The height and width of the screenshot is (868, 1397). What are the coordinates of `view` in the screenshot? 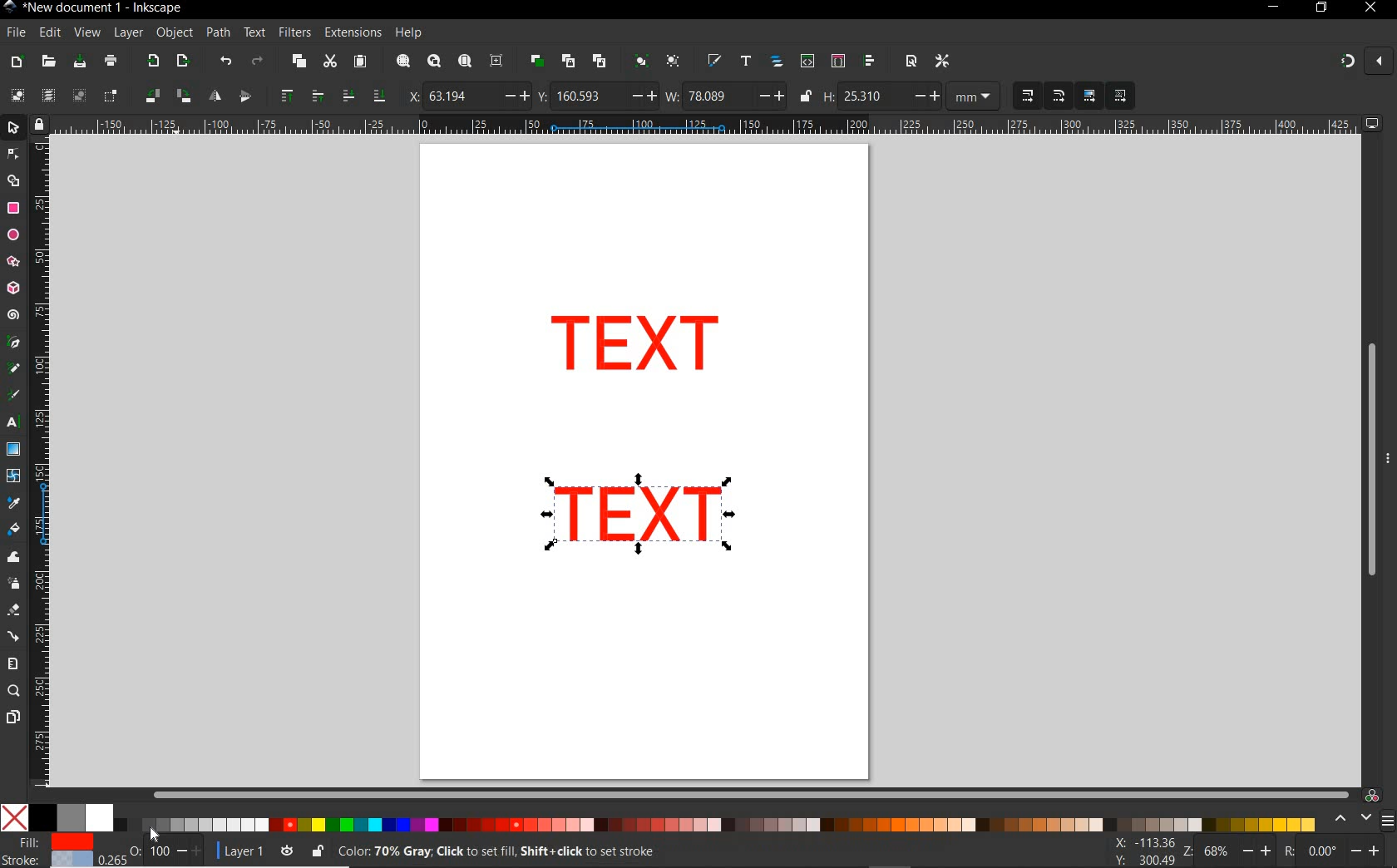 It's located at (86, 32).